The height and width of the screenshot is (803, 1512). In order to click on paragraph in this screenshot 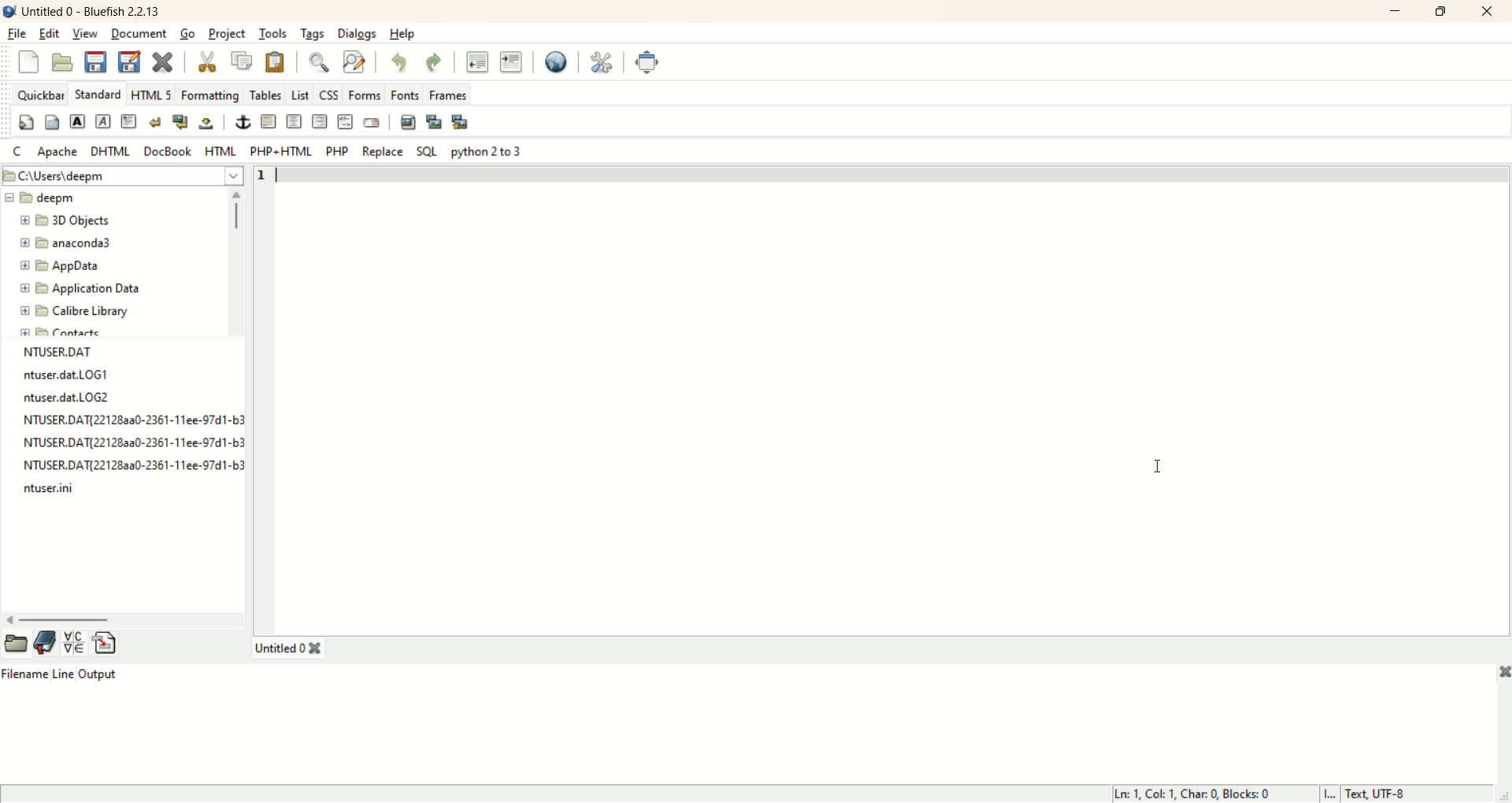, I will do `click(129, 121)`.